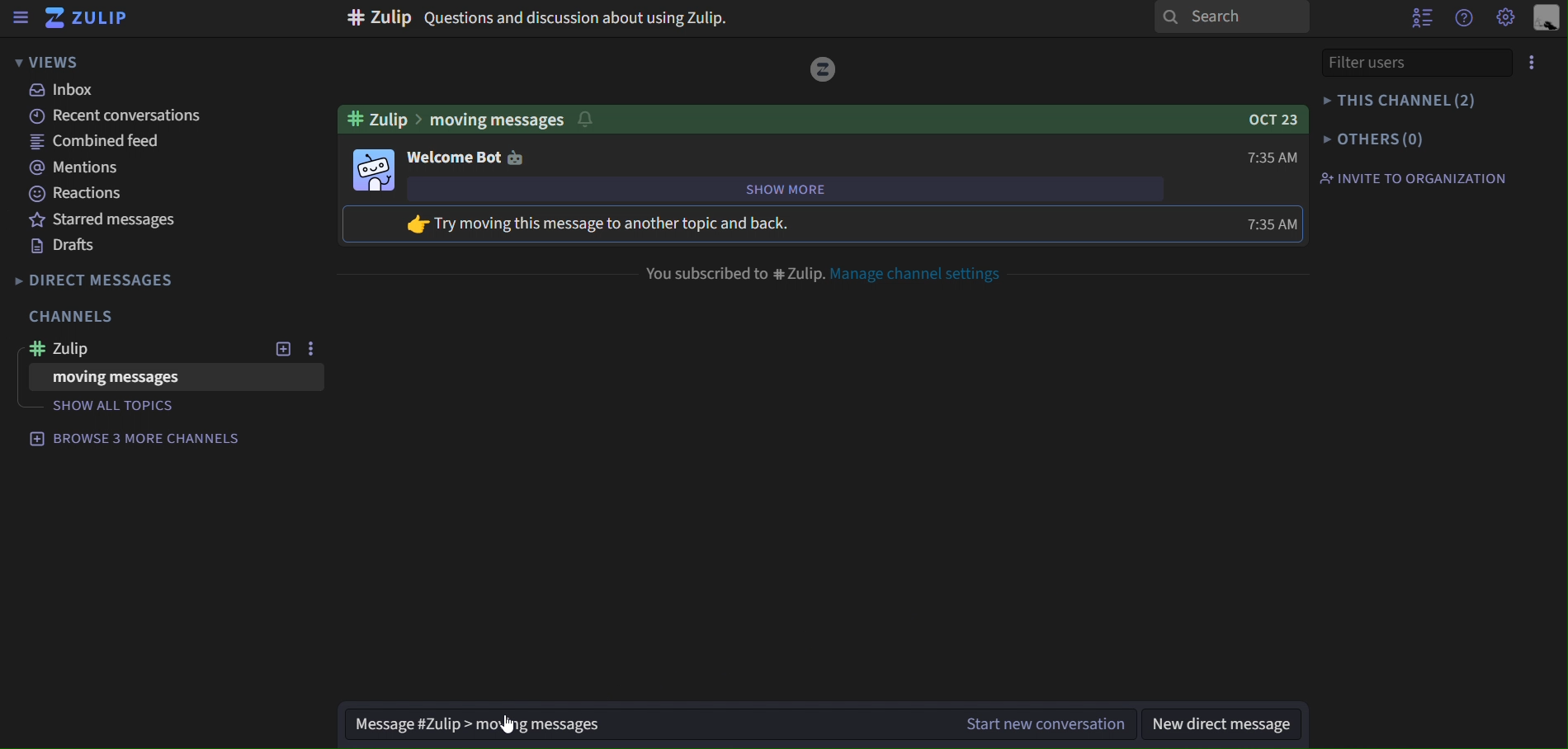 This screenshot has height=749, width=1568. What do you see at coordinates (1411, 62) in the screenshot?
I see `filter users` at bounding box center [1411, 62].